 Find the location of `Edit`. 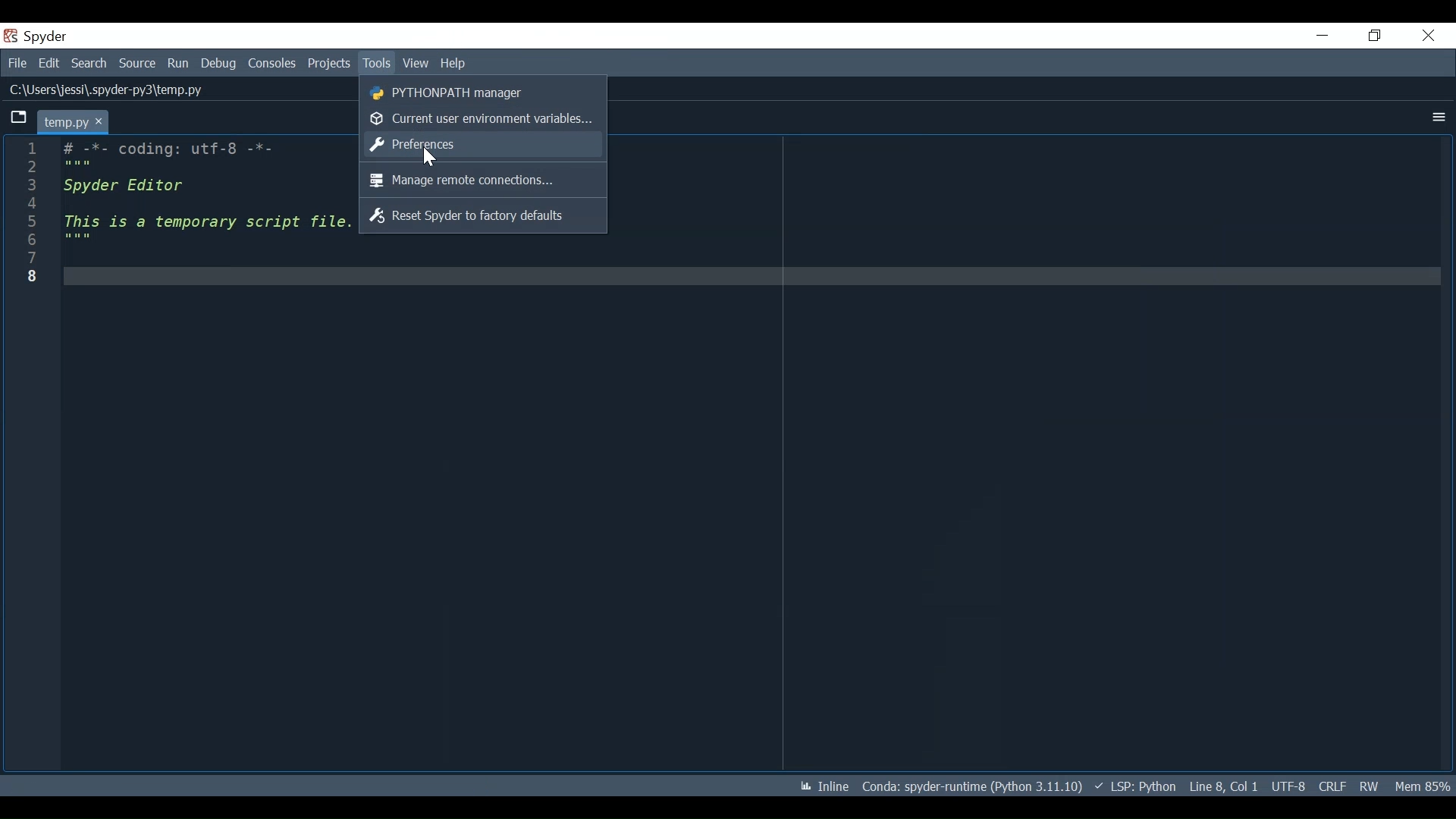

Edit is located at coordinates (51, 64).